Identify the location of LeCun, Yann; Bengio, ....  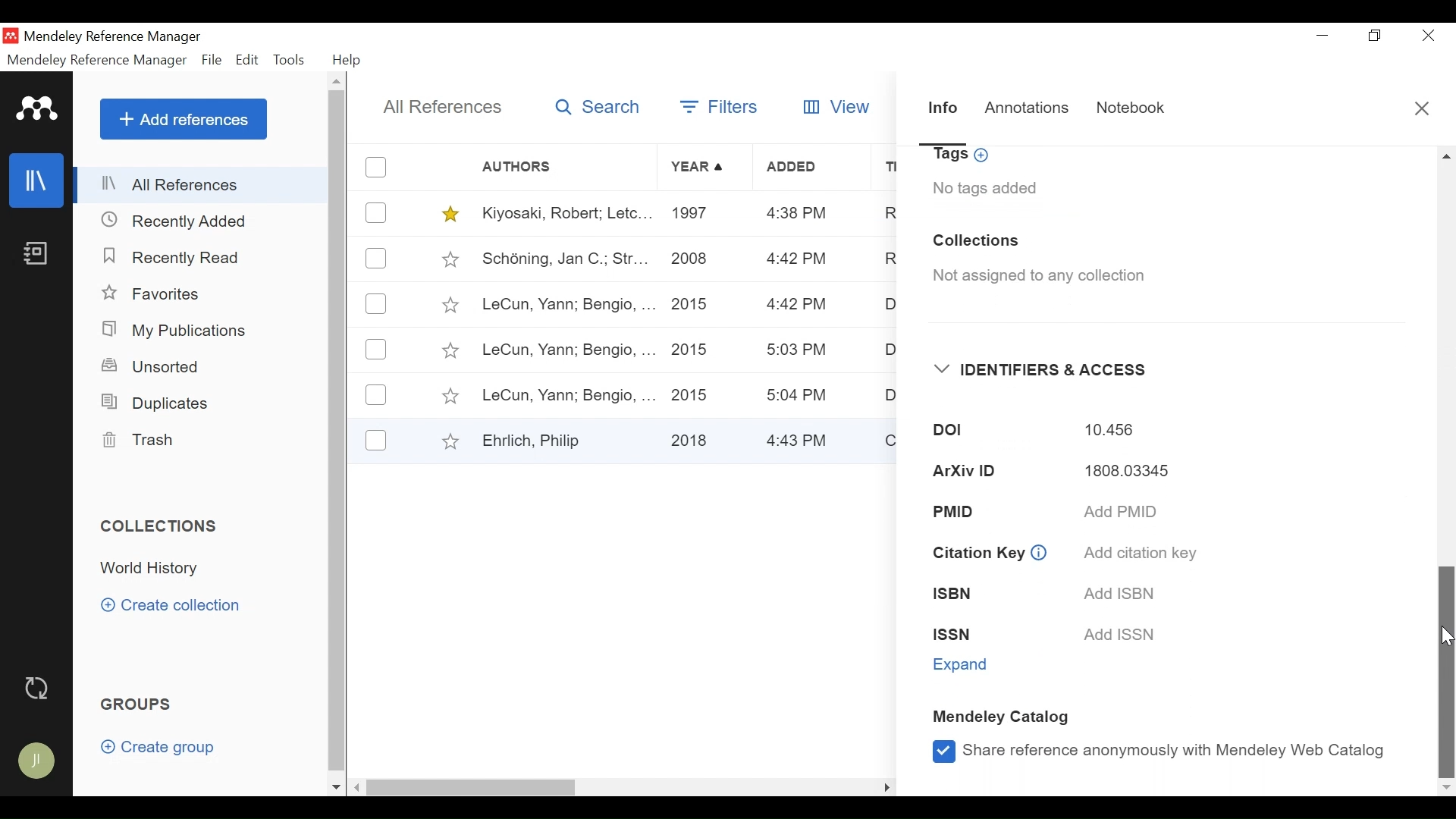
(567, 306).